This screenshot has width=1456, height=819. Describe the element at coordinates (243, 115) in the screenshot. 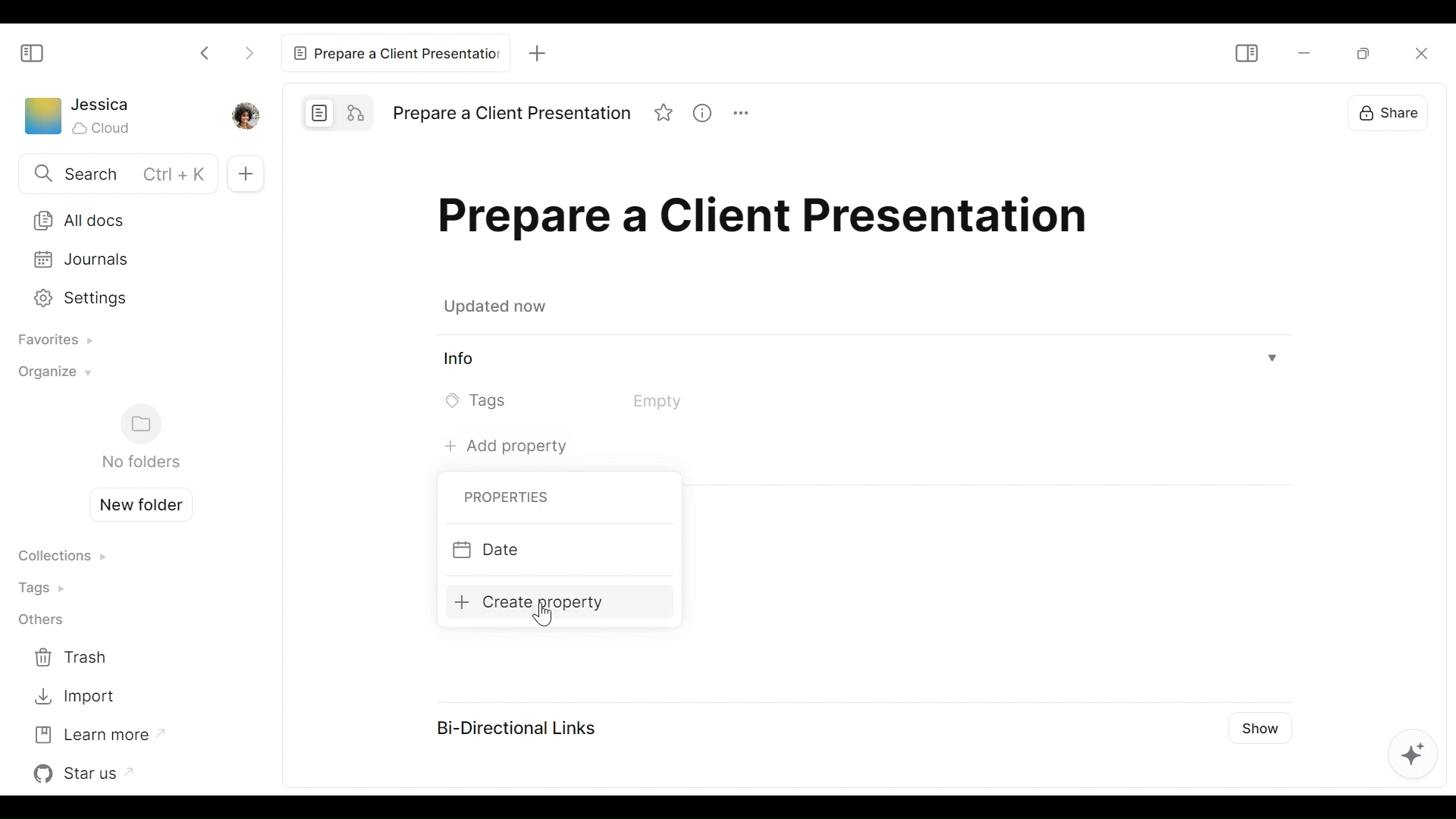

I see `Profile picture` at that location.